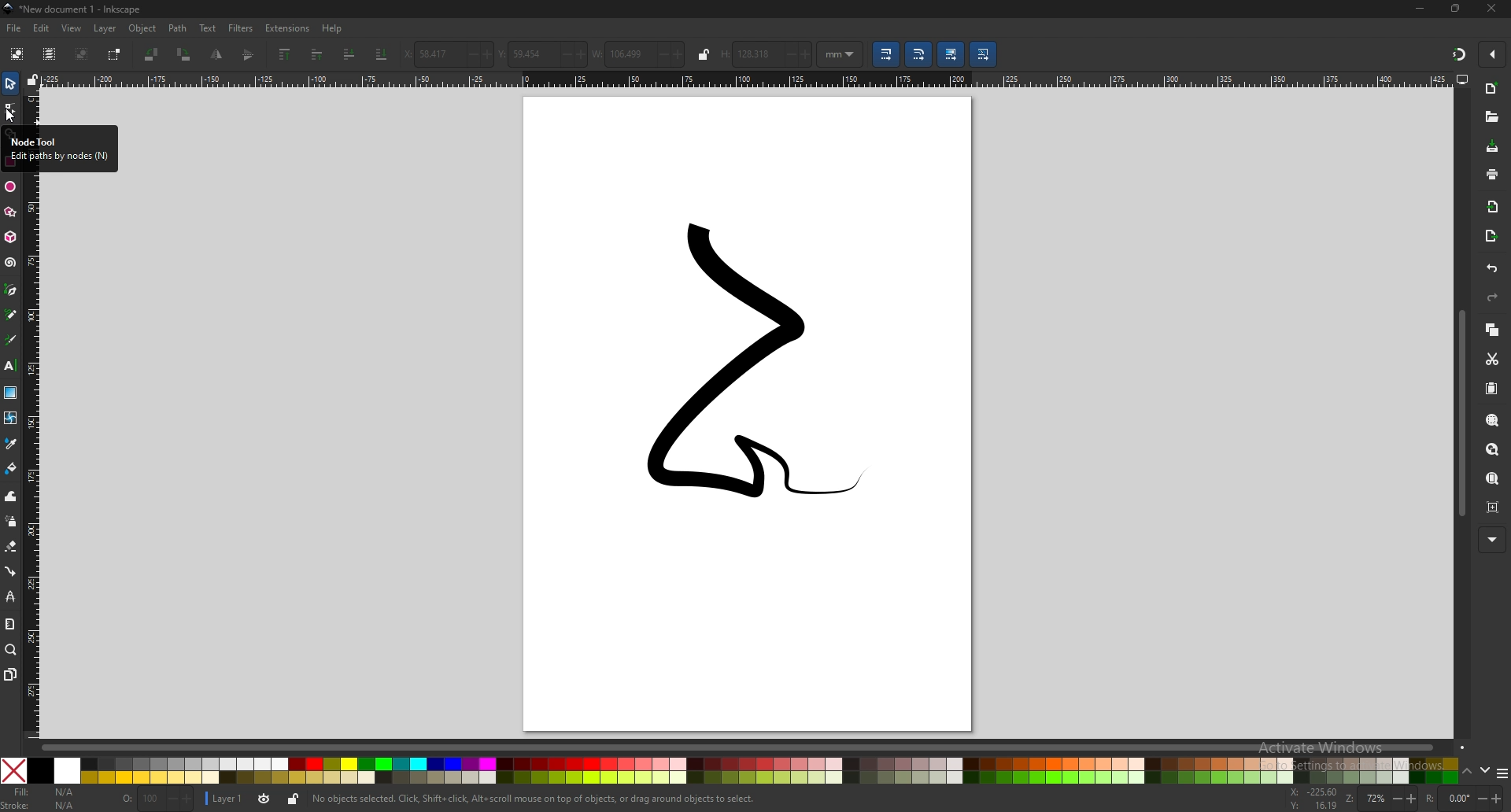 This screenshot has width=1511, height=812. I want to click on rotate 90 degree cw, so click(185, 54).